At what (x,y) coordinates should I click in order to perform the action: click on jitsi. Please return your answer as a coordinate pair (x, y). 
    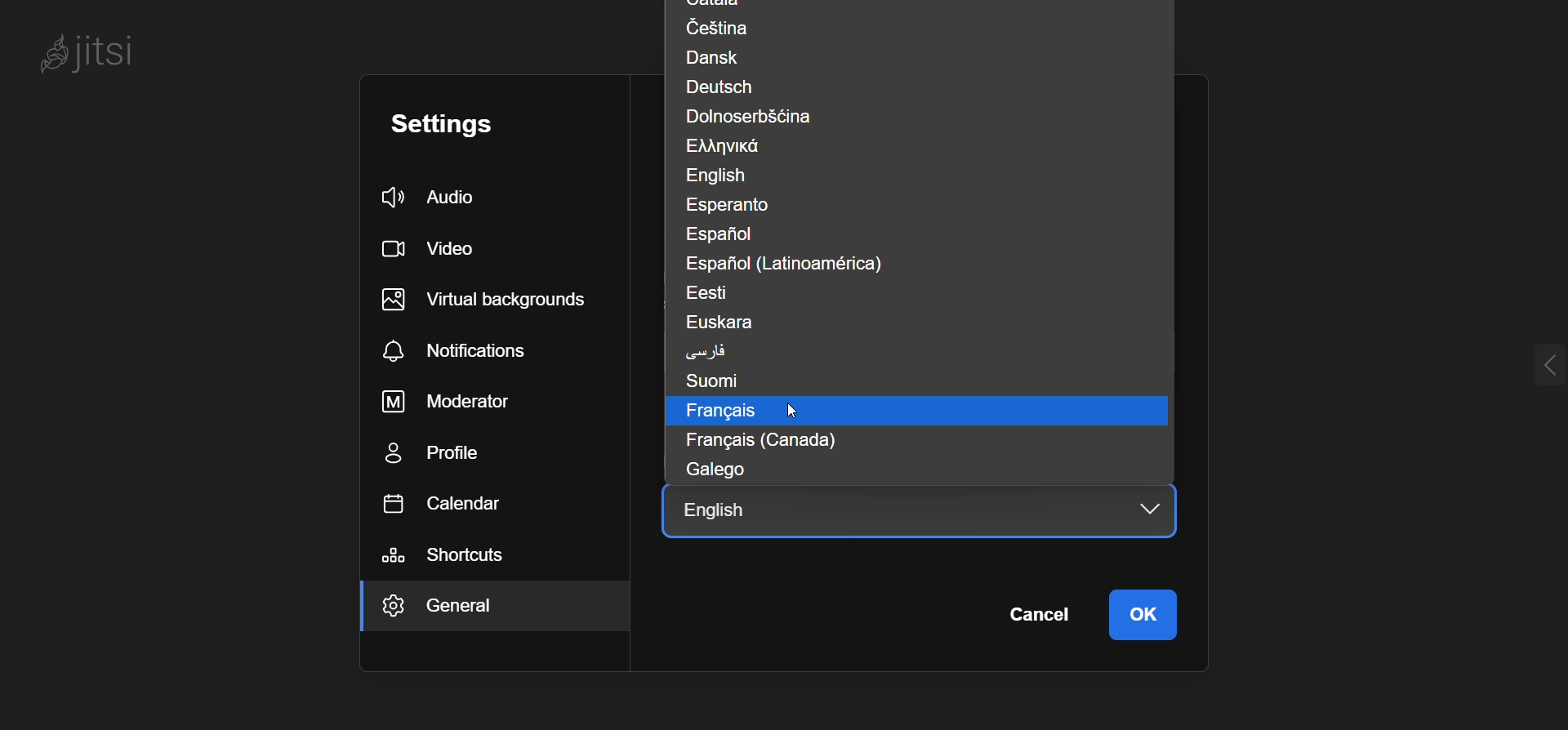
    Looking at the image, I should click on (114, 59).